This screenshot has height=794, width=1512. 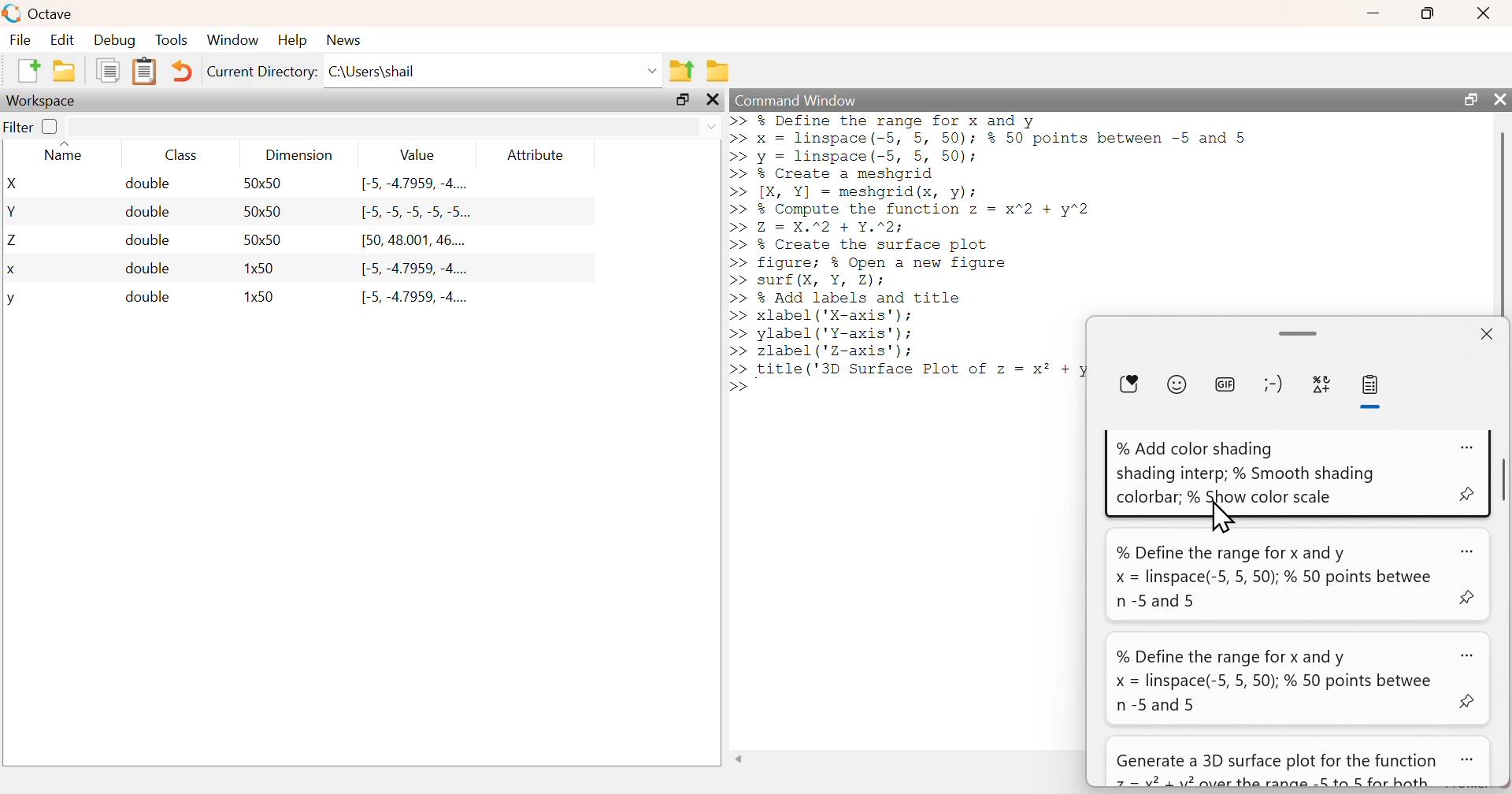 What do you see at coordinates (150, 239) in the screenshot?
I see `double` at bounding box center [150, 239].